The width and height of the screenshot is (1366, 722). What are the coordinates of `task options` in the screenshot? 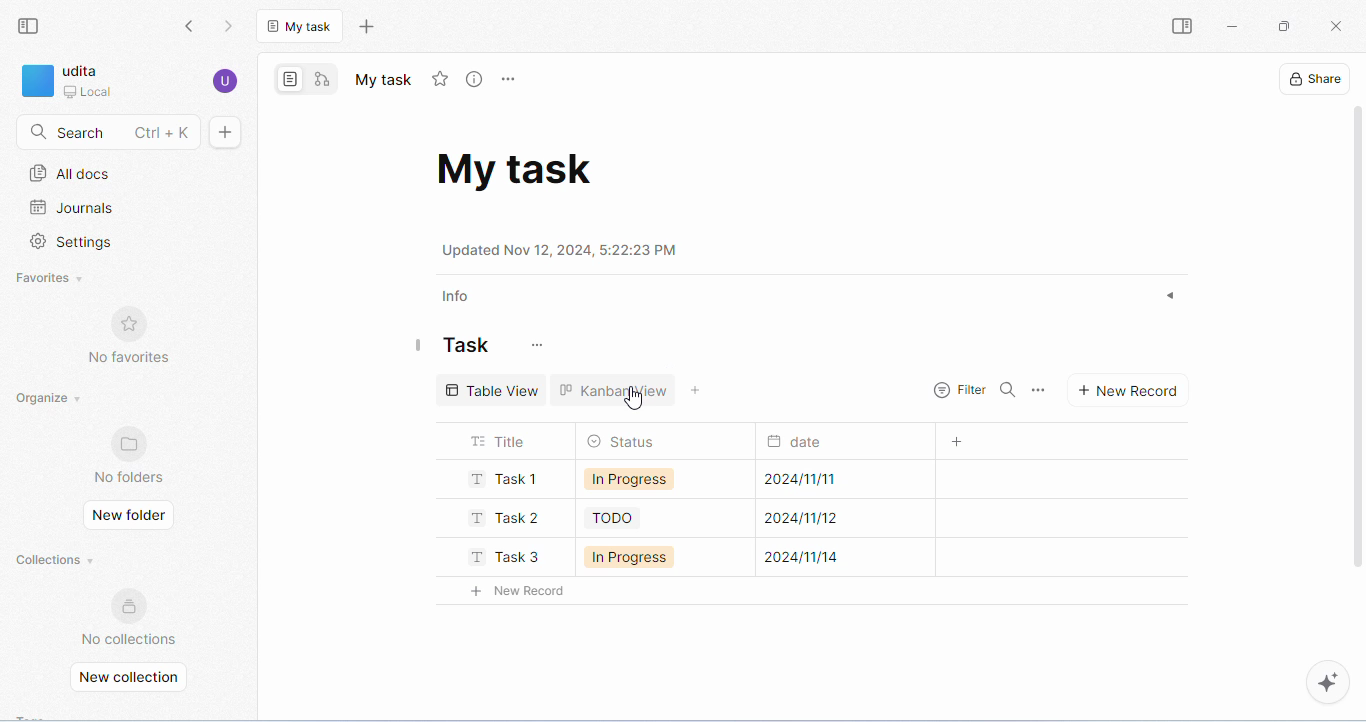 It's located at (1042, 390).